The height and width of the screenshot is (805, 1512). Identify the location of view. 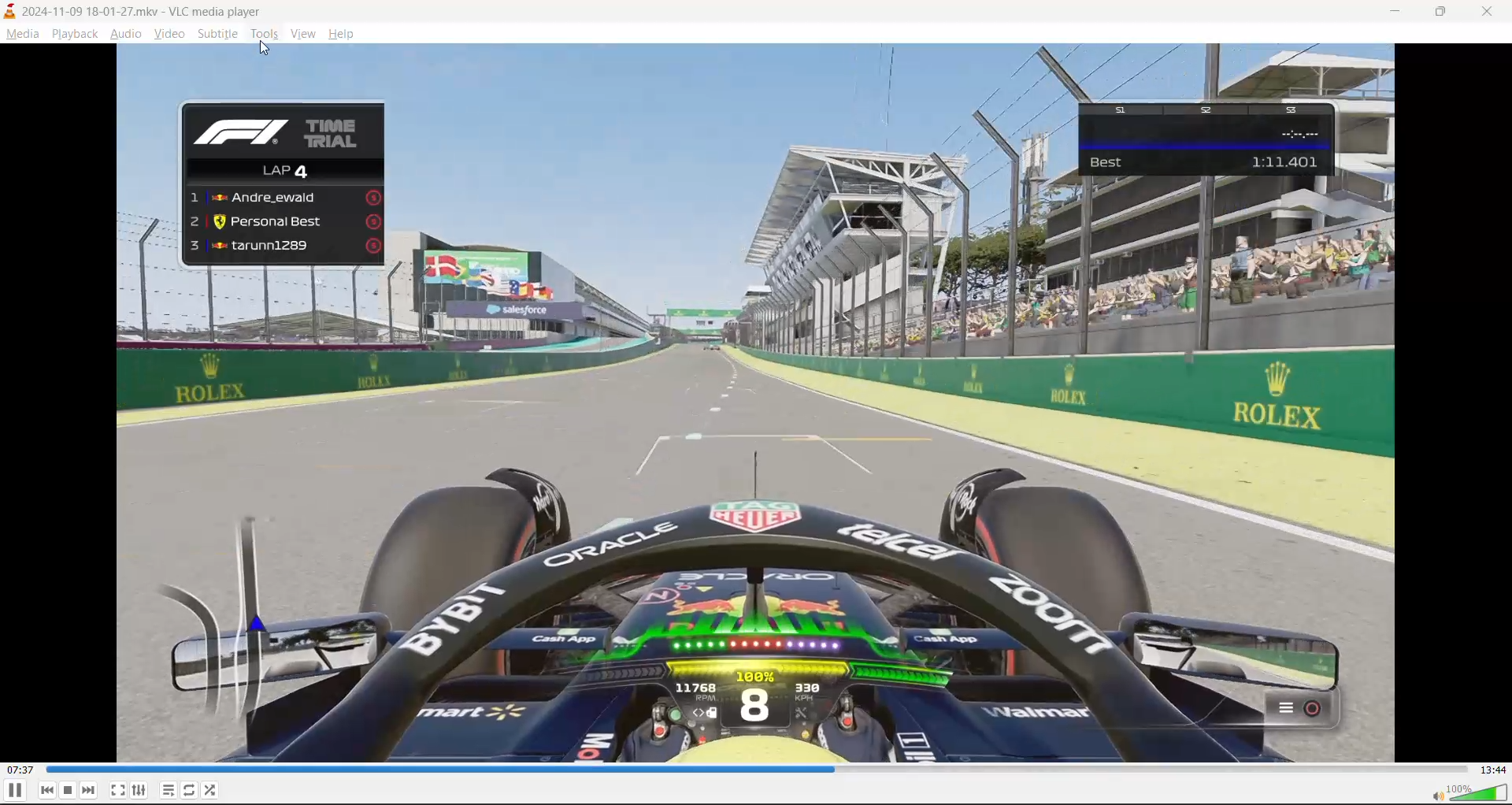
(306, 32).